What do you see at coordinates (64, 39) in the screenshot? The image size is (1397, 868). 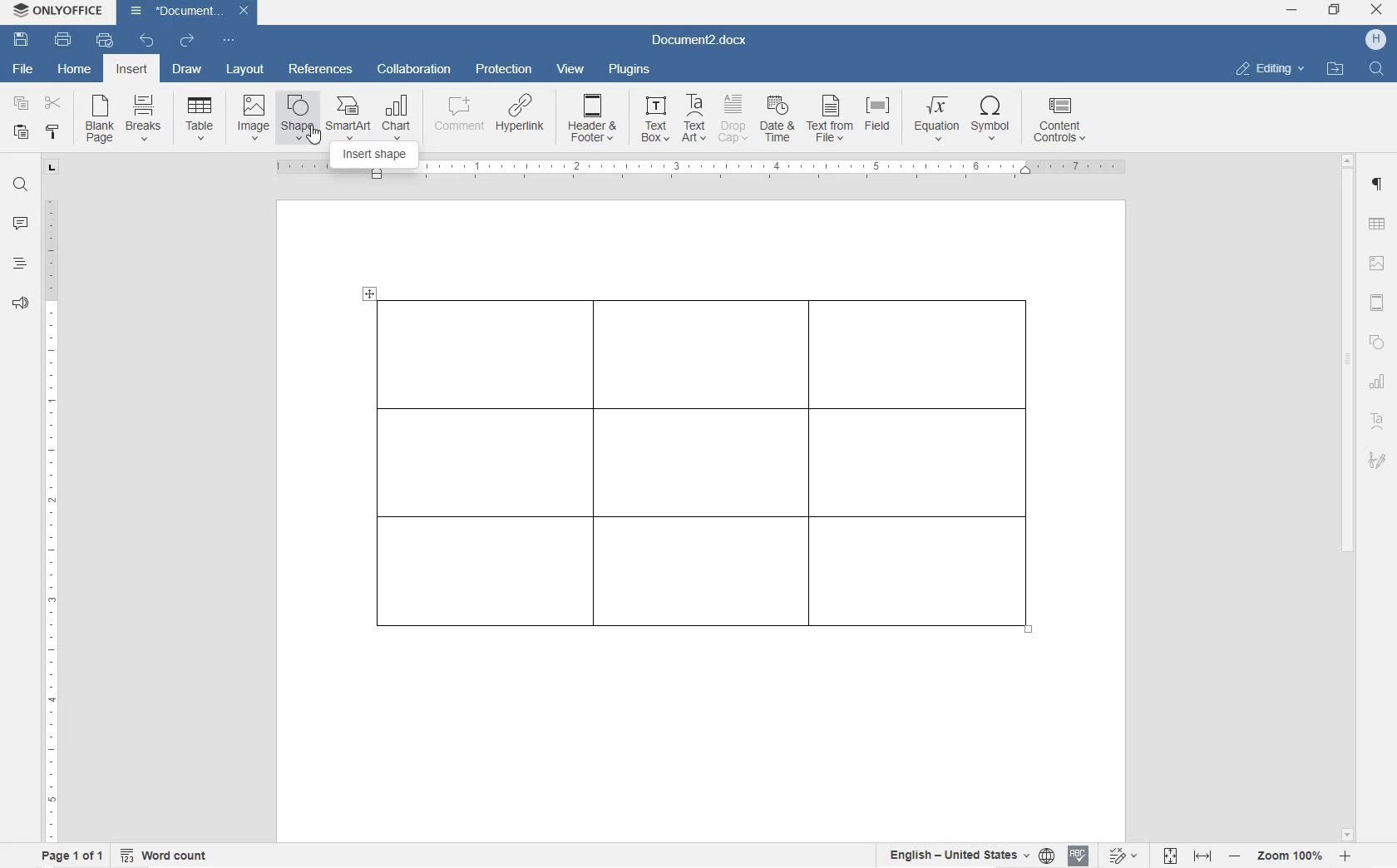 I see `print` at bounding box center [64, 39].